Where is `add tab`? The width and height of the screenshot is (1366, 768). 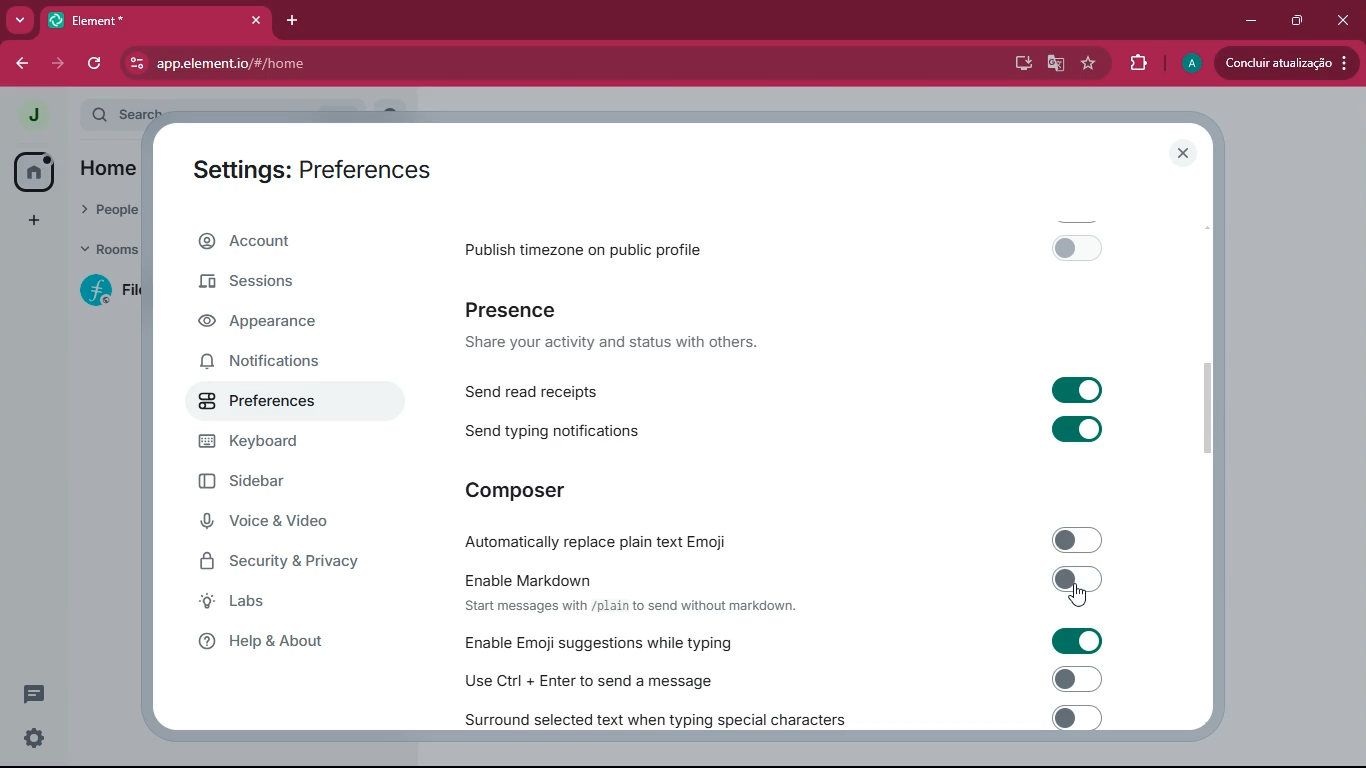 add tab is located at coordinates (297, 21).